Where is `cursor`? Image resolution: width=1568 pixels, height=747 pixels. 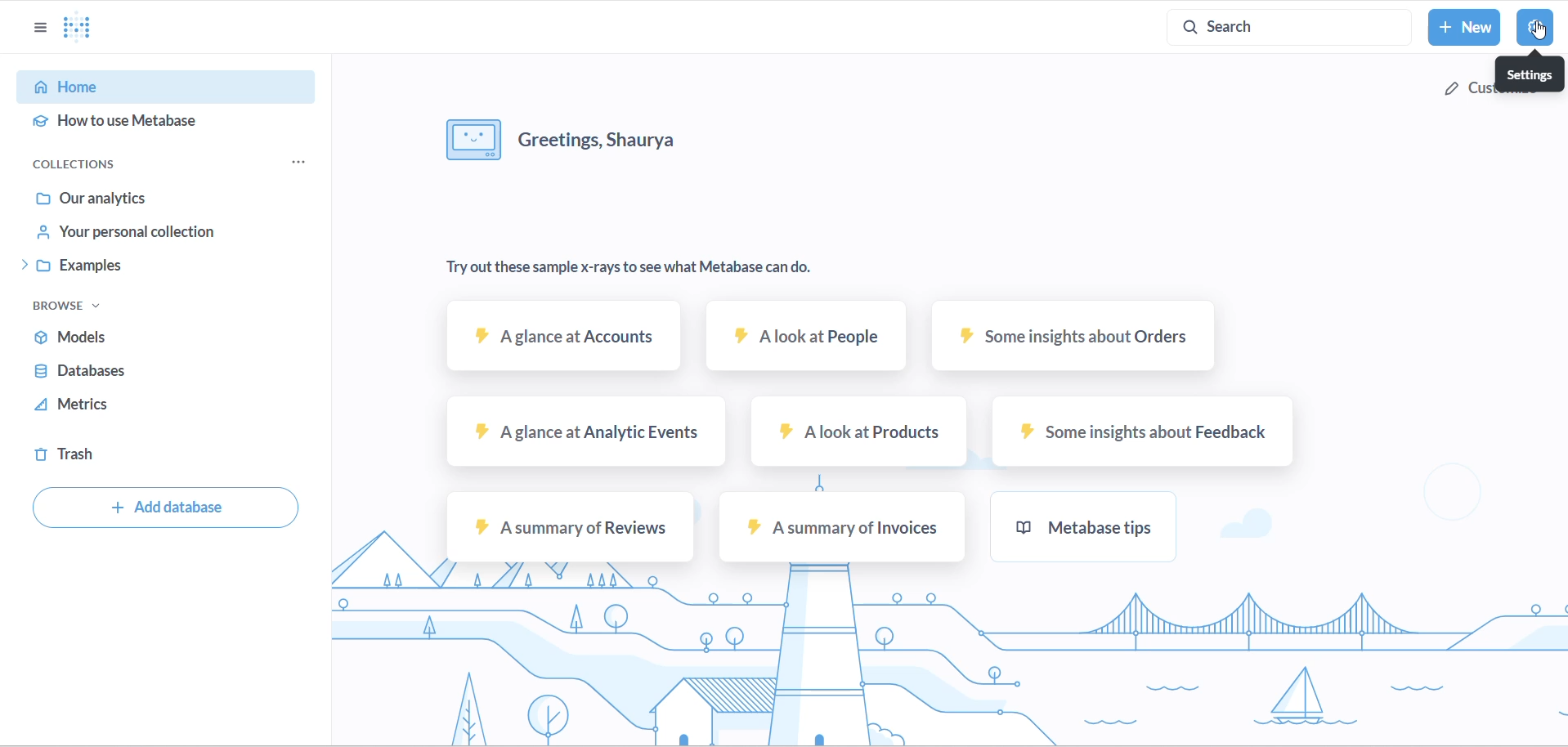 cursor is located at coordinates (1539, 29).